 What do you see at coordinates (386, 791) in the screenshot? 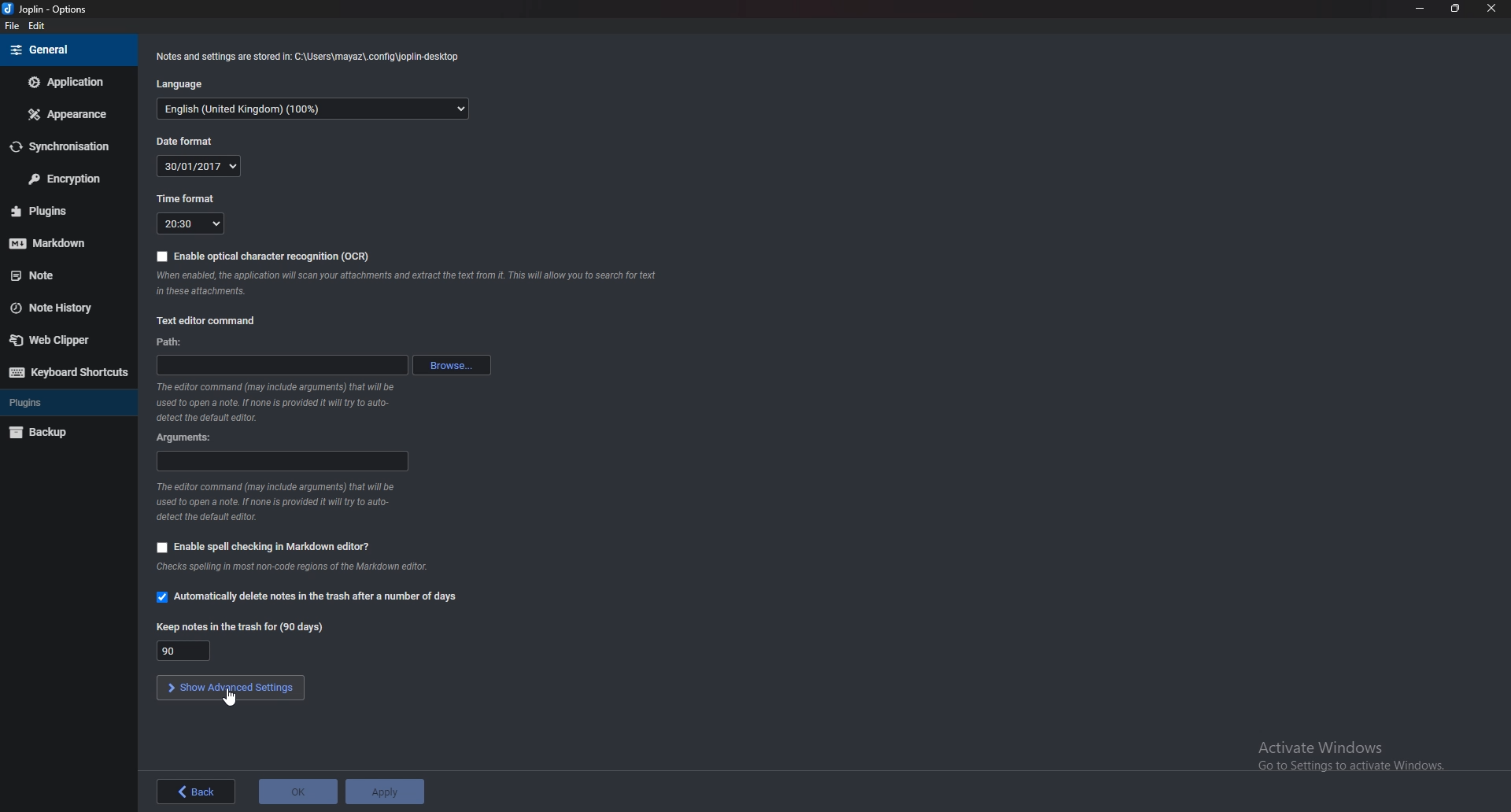
I see `Apply` at bounding box center [386, 791].